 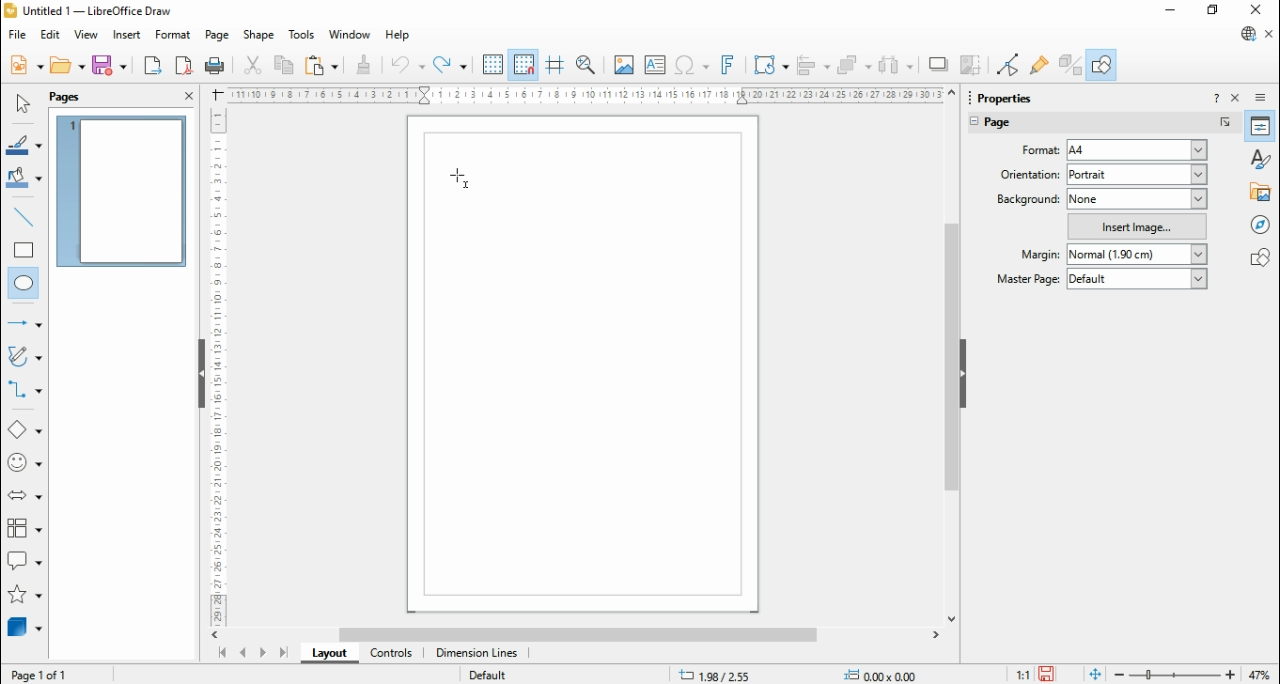 What do you see at coordinates (252, 64) in the screenshot?
I see `cut` at bounding box center [252, 64].